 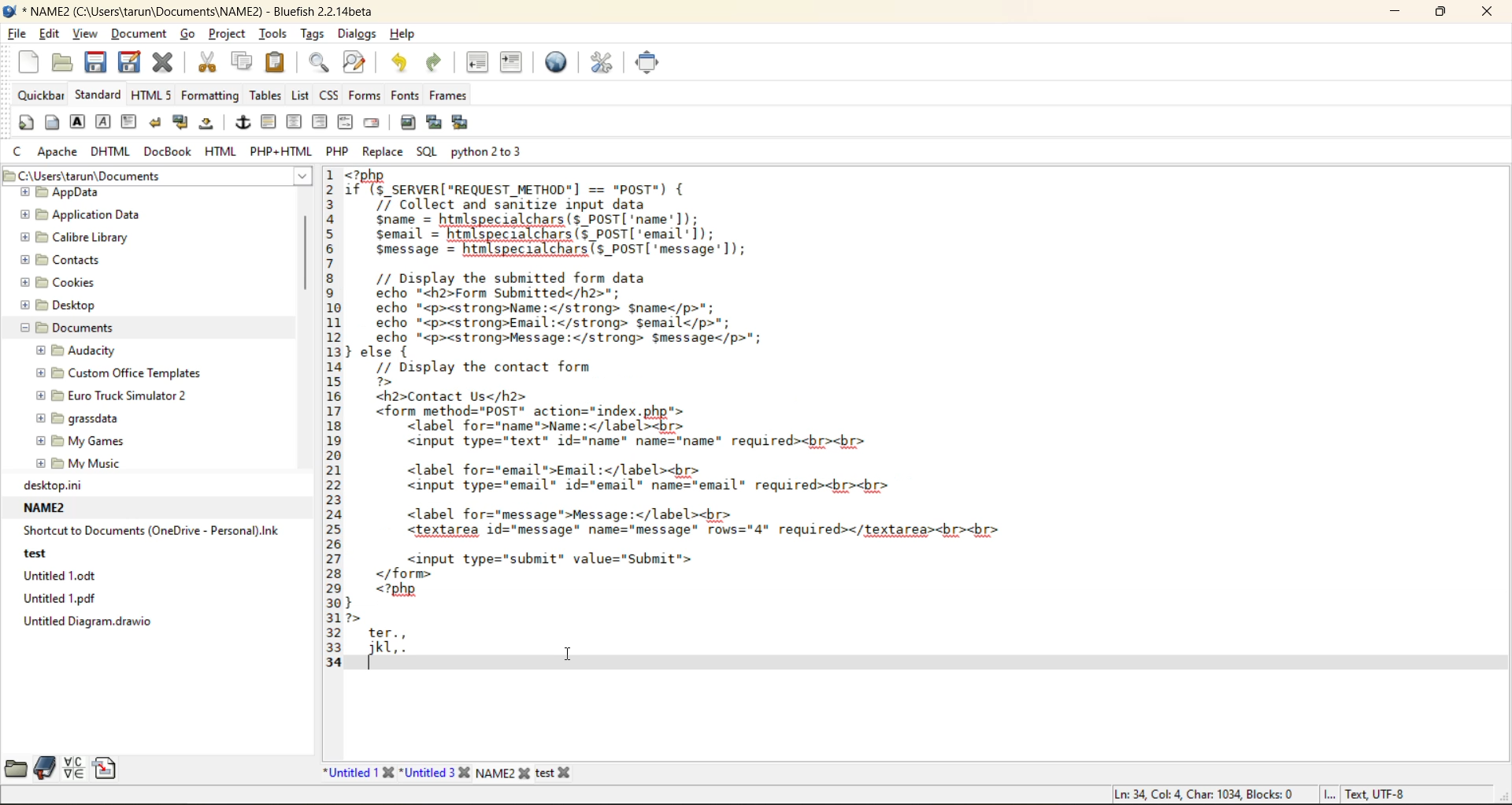 What do you see at coordinates (31, 63) in the screenshot?
I see `new` at bounding box center [31, 63].